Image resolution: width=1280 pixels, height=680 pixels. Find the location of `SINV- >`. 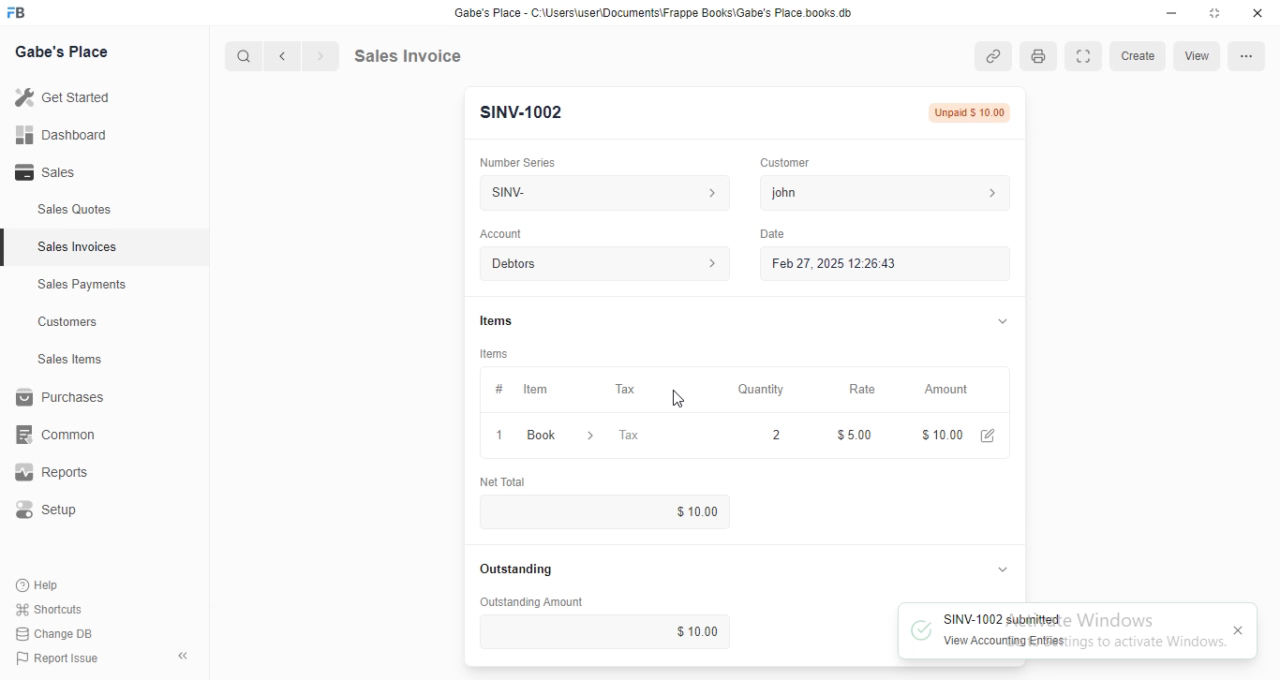

SINV- > is located at coordinates (597, 193).